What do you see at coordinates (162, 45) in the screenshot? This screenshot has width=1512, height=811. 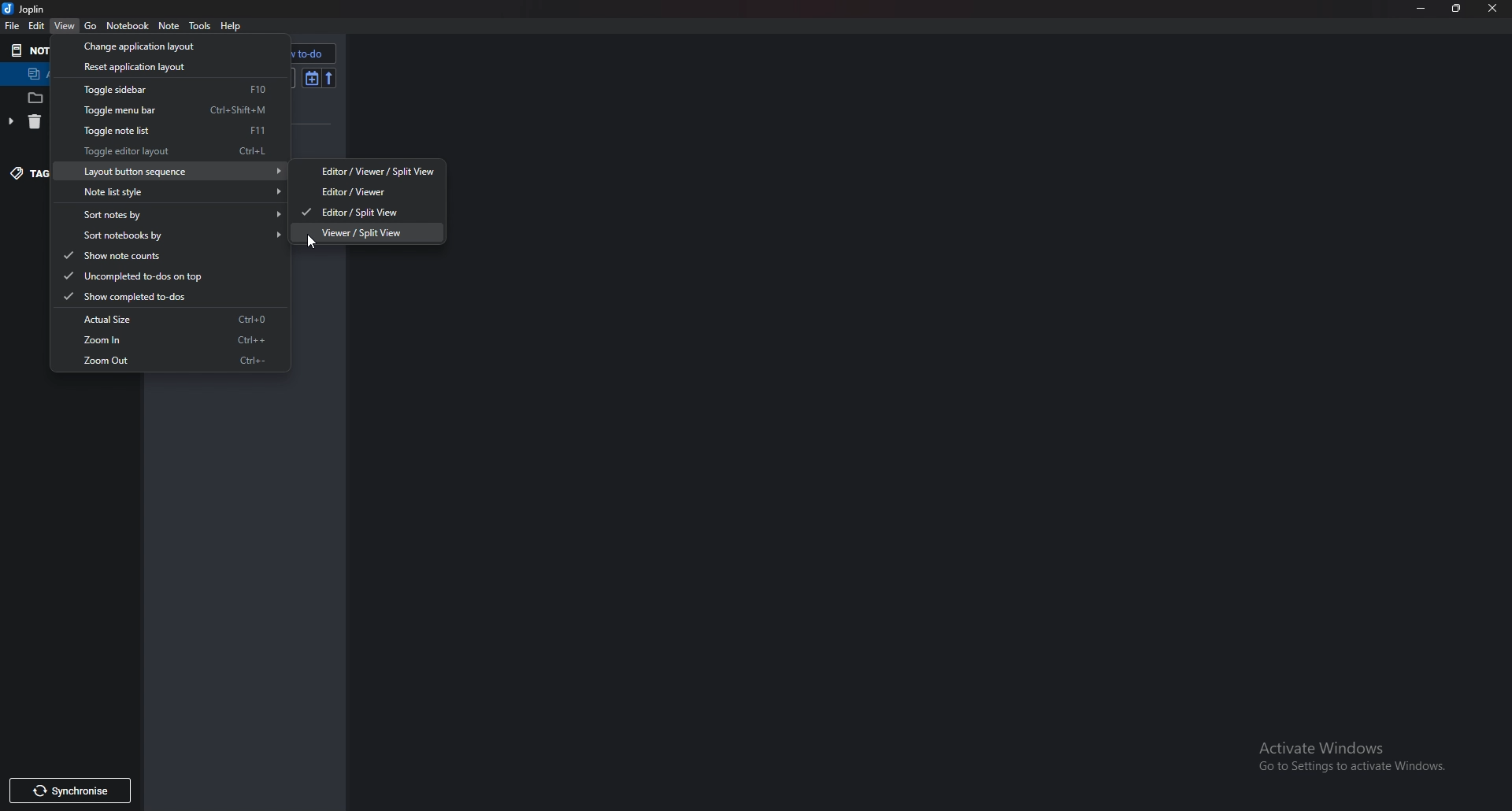 I see `Change application layout` at bounding box center [162, 45].